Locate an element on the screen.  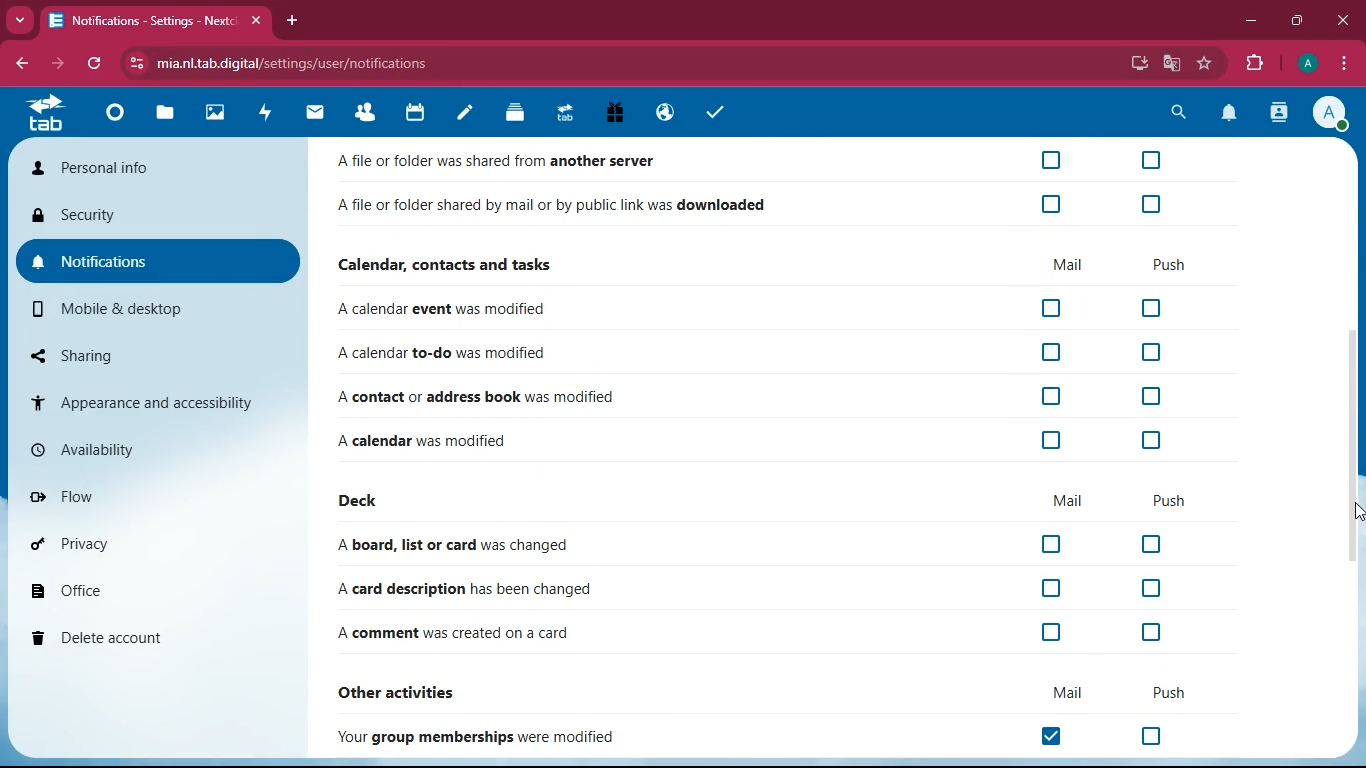
desktop is located at coordinates (1138, 65).